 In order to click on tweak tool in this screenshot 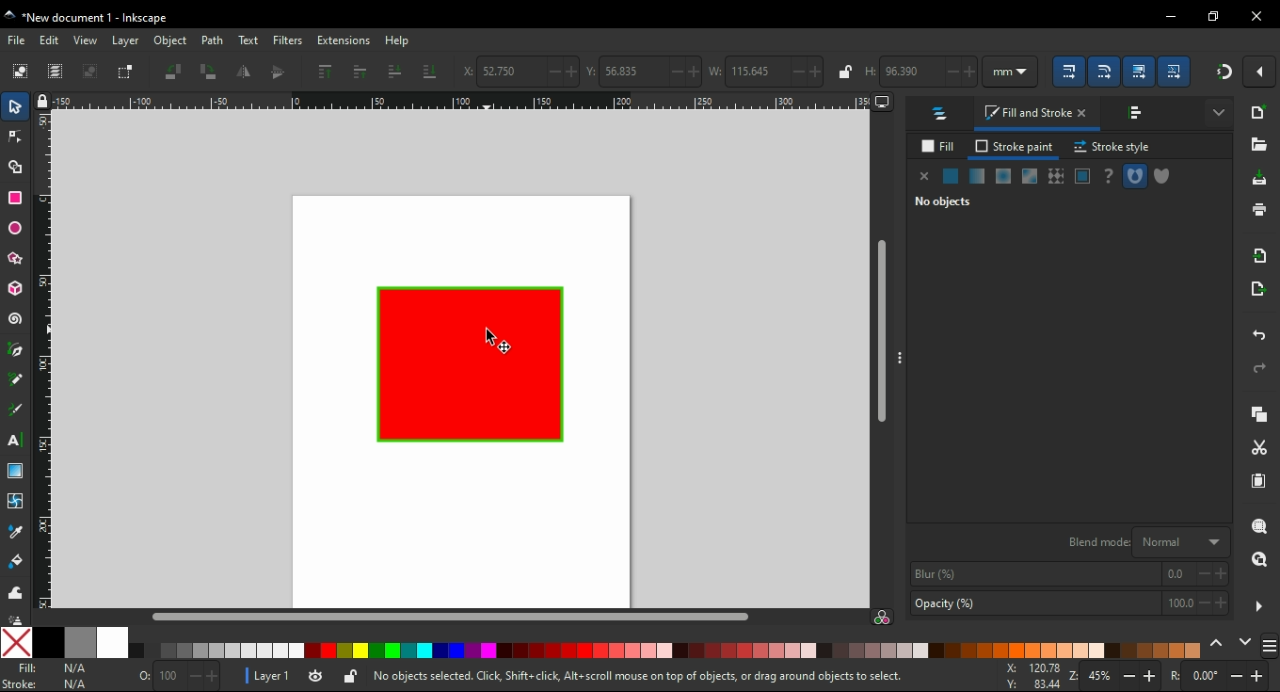, I will do `click(14, 593)`.